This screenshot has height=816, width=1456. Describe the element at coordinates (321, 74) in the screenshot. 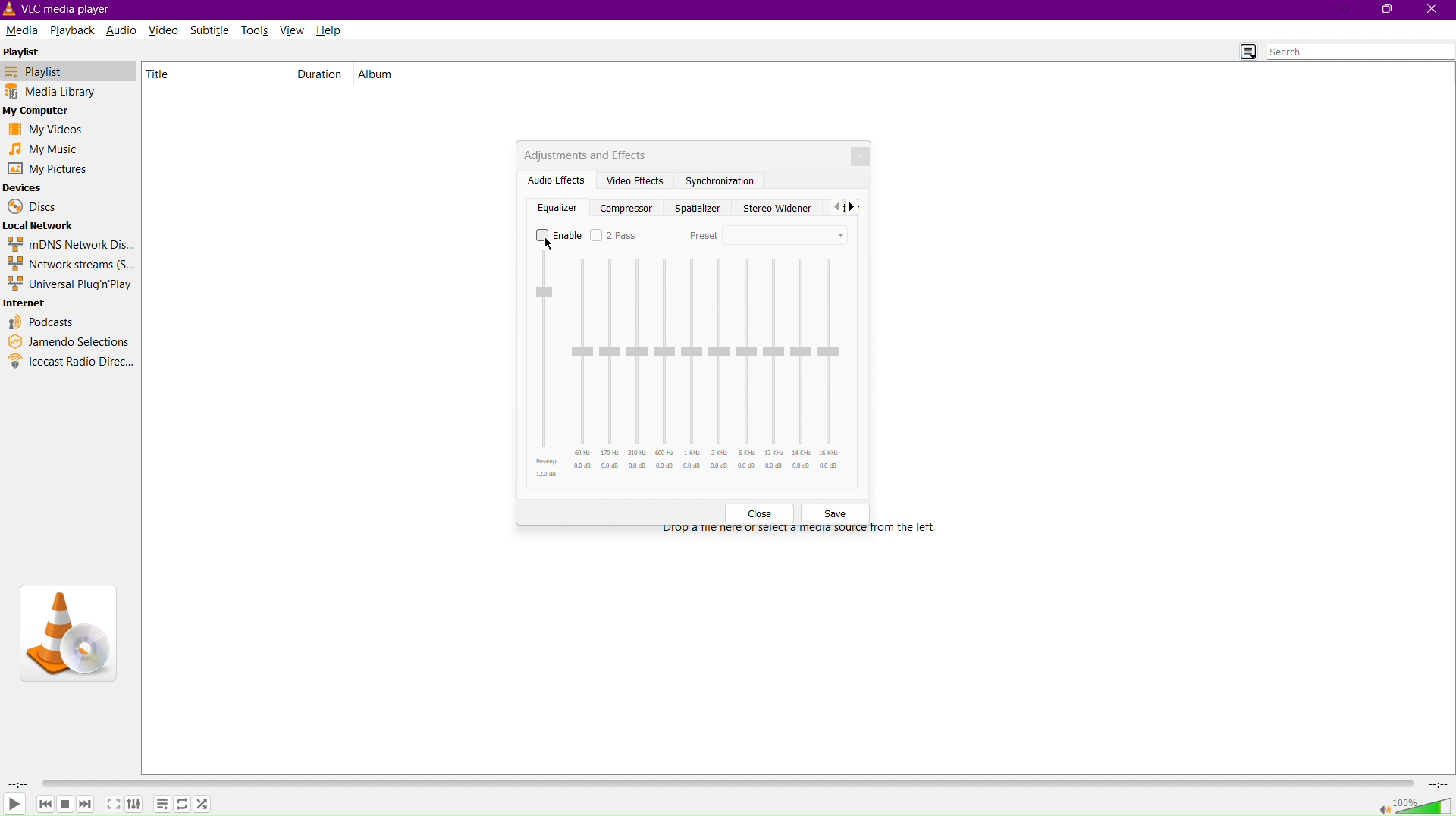

I see `Duration` at that location.